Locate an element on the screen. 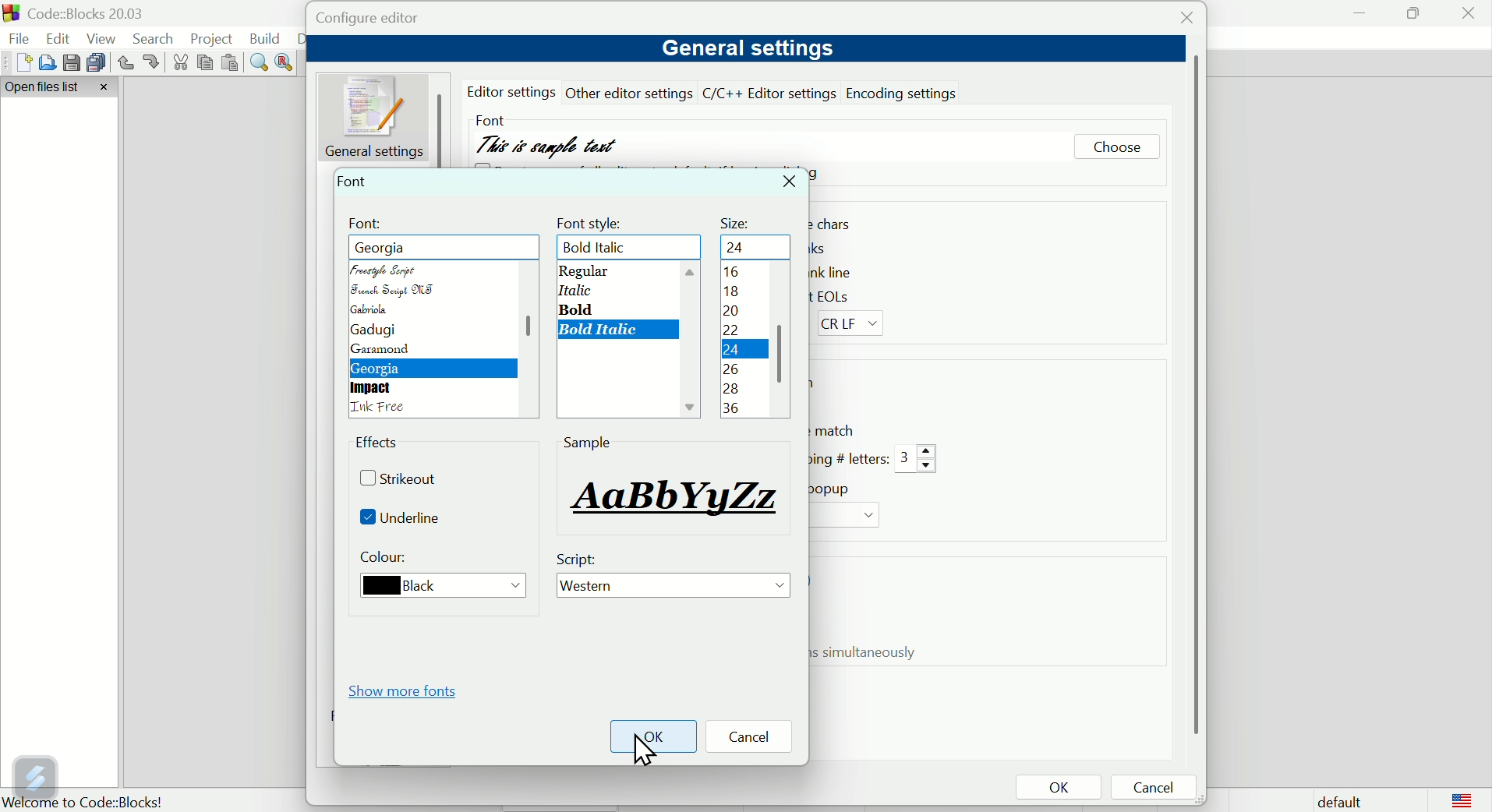 The image size is (1492, 812). Find is located at coordinates (260, 63).